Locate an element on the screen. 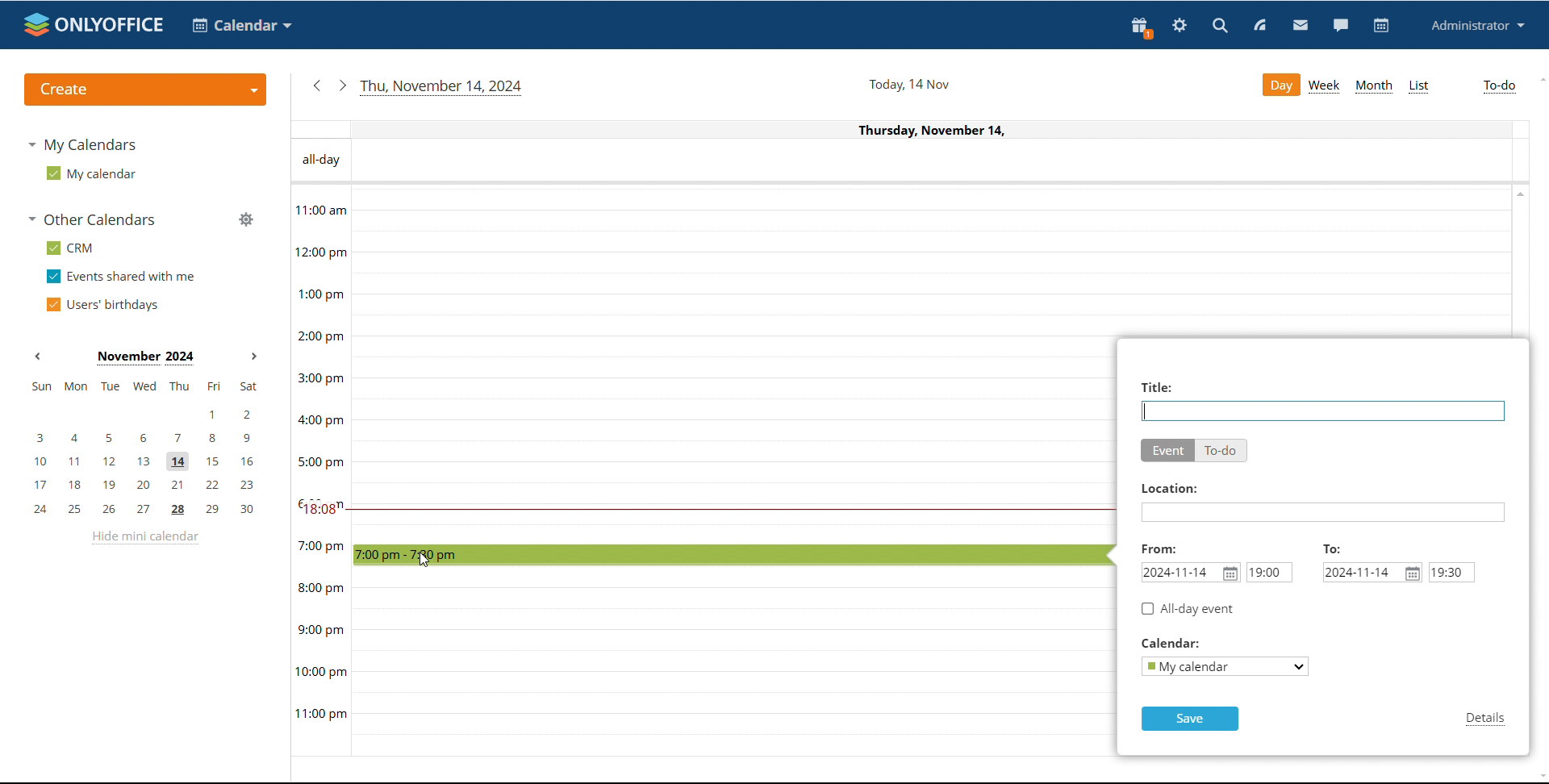 The image size is (1549, 784). current time is located at coordinates (736, 510).